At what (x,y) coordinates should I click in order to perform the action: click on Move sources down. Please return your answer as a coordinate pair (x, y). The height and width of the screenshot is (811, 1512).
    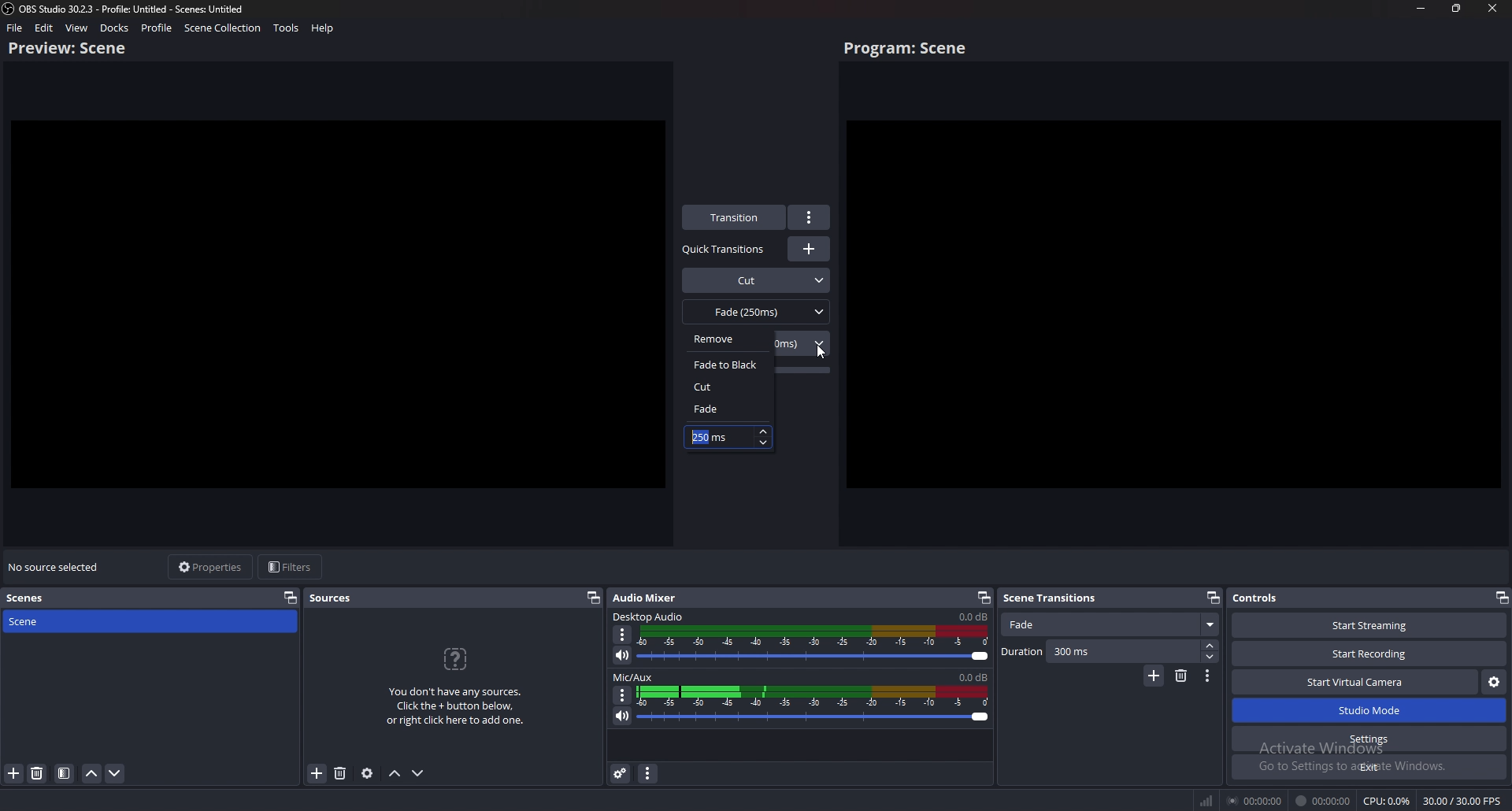
    Looking at the image, I should click on (421, 772).